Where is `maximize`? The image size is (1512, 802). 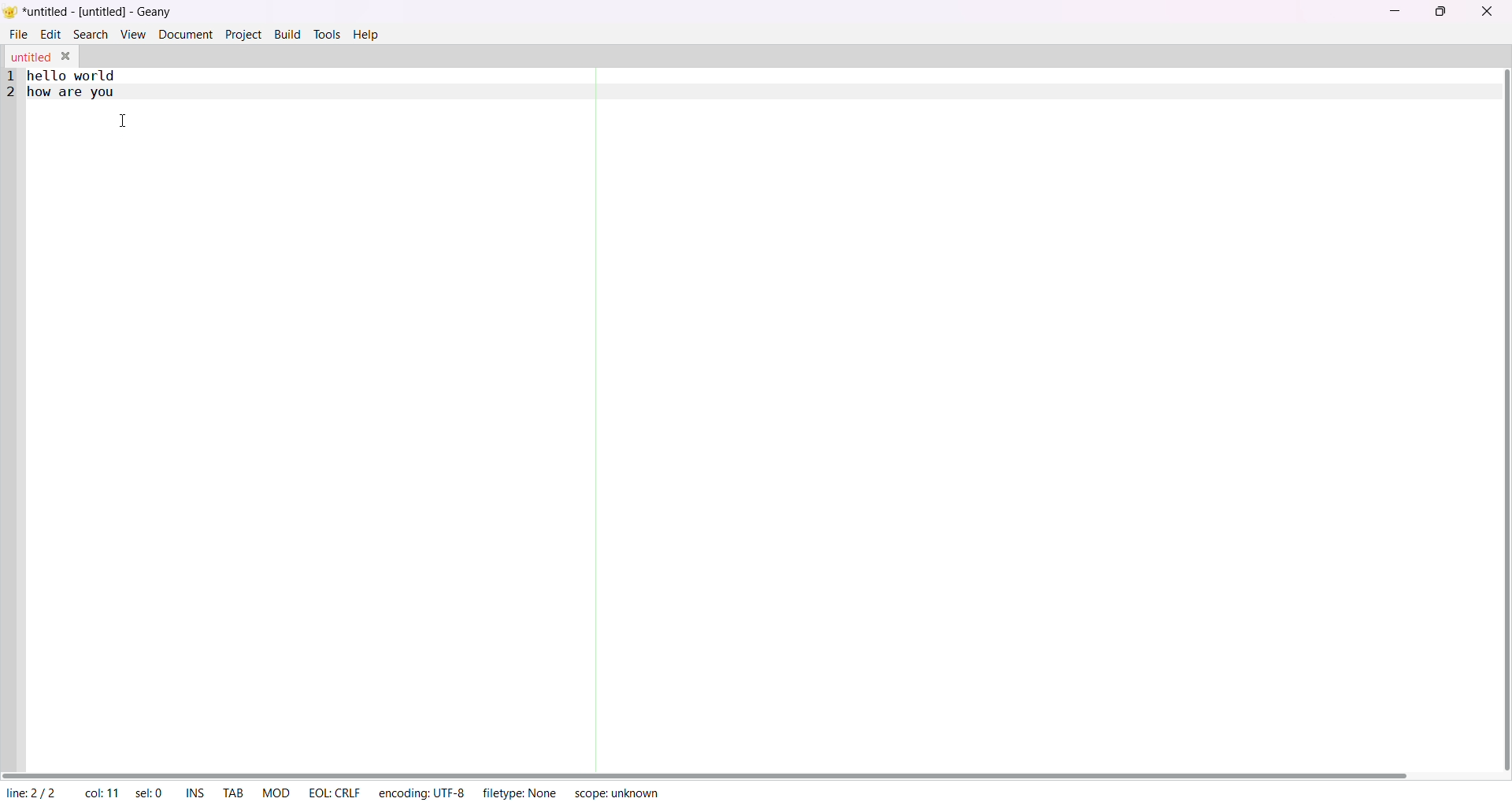 maximize is located at coordinates (1443, 12).